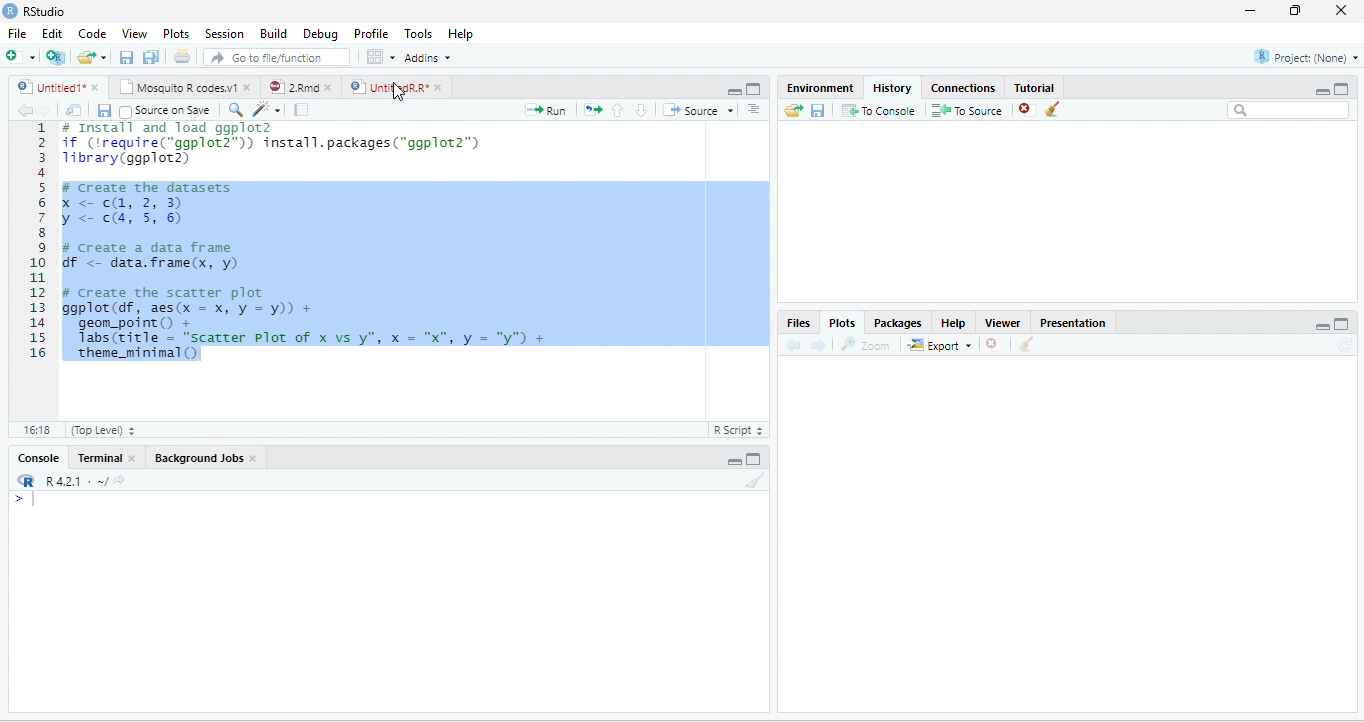 This screenshot has height=722, width=1364. What do you see at coordinates (292, 87) in the screenshot?
I see `2.Rmd` at bounding box center [292, 87].